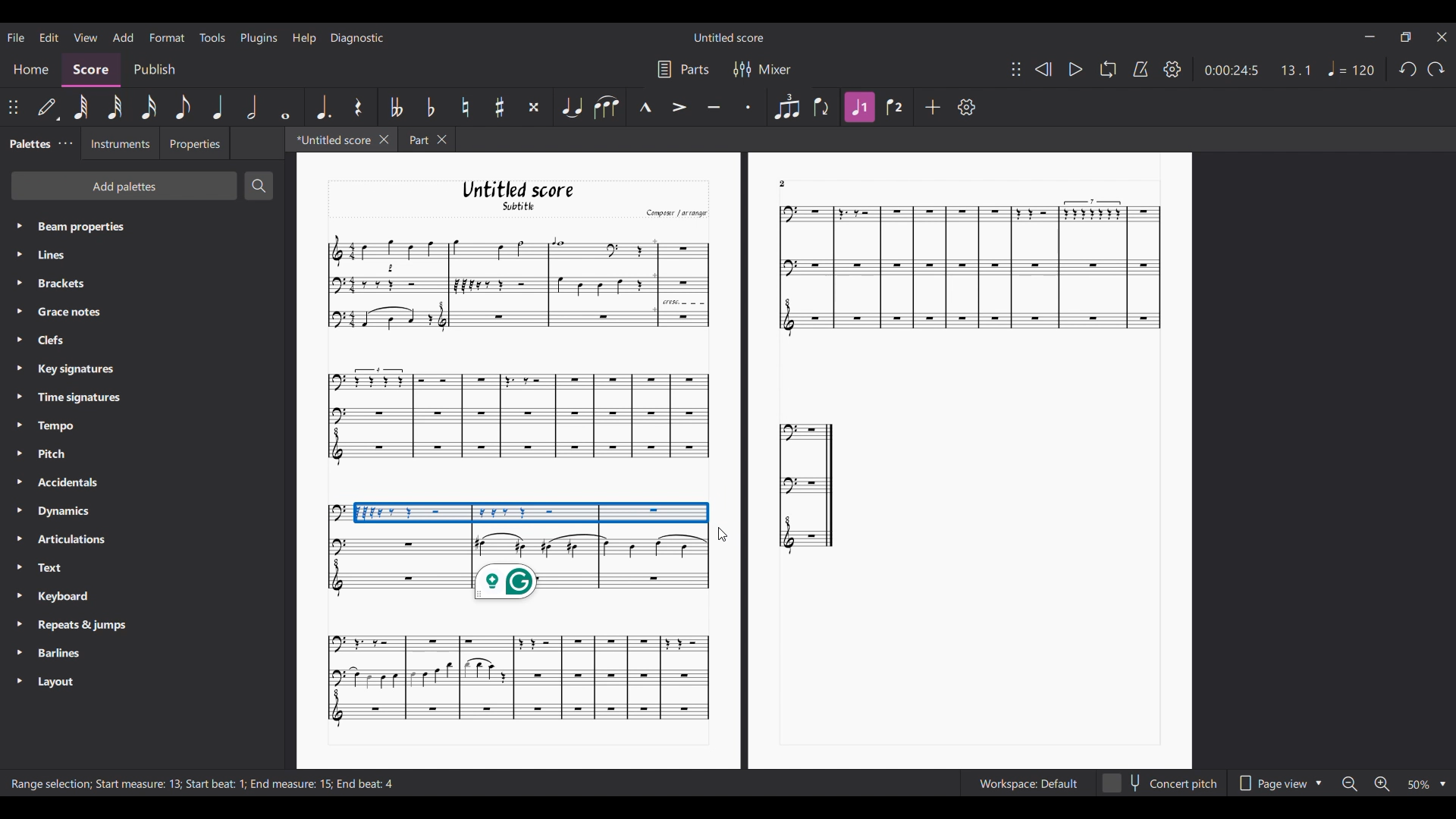 The width and height of the screenshot is (1456, 819). What do you see at coordinates (66, 256) in the screenshot?
I see `» Lines` at bounding box center [66, 256].